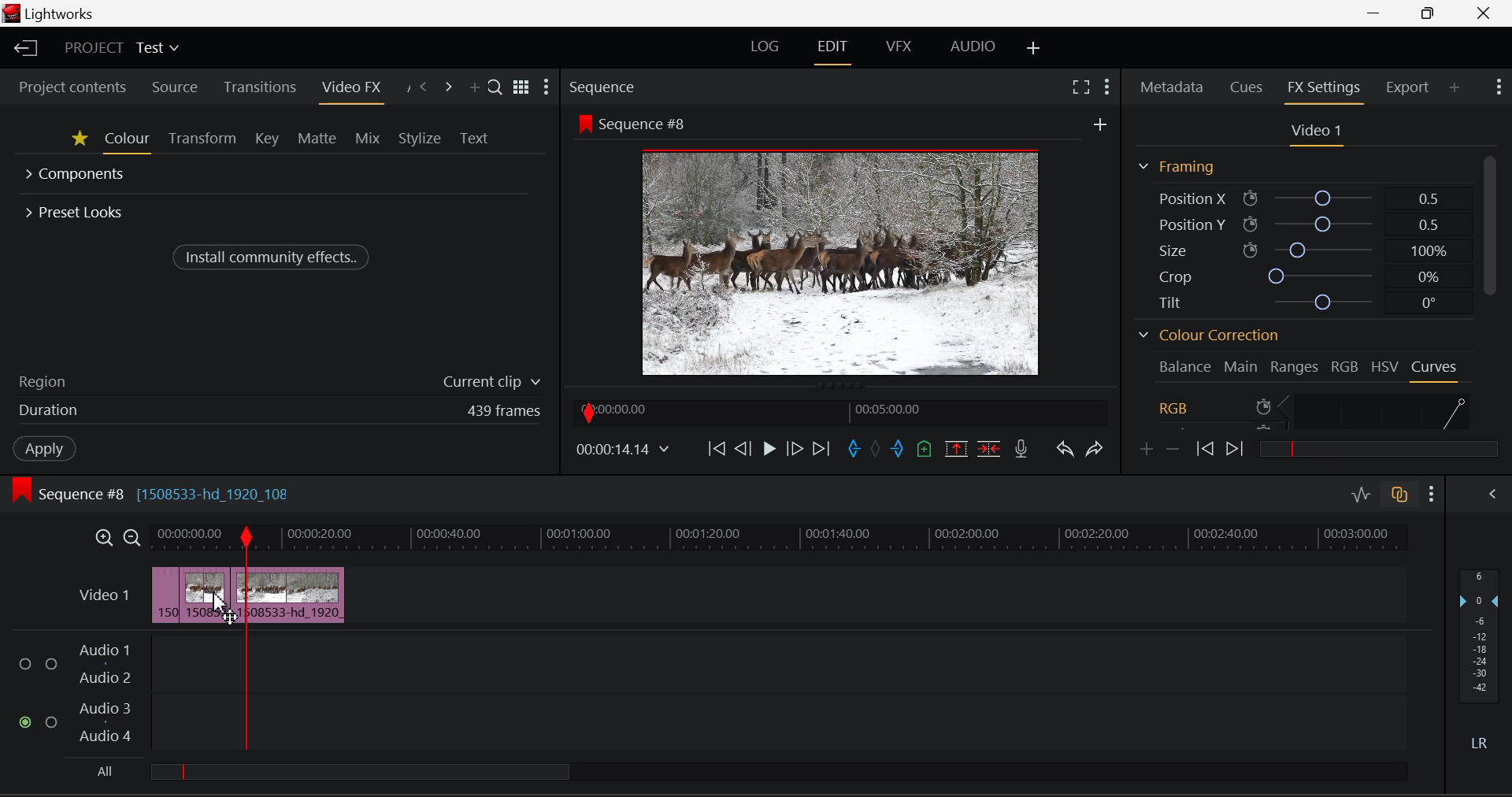 This screenshot has width=1512, height=797. Describe the element at coordinates (1144, 450) in the screenshot. I see `Add keyframe` at that location.